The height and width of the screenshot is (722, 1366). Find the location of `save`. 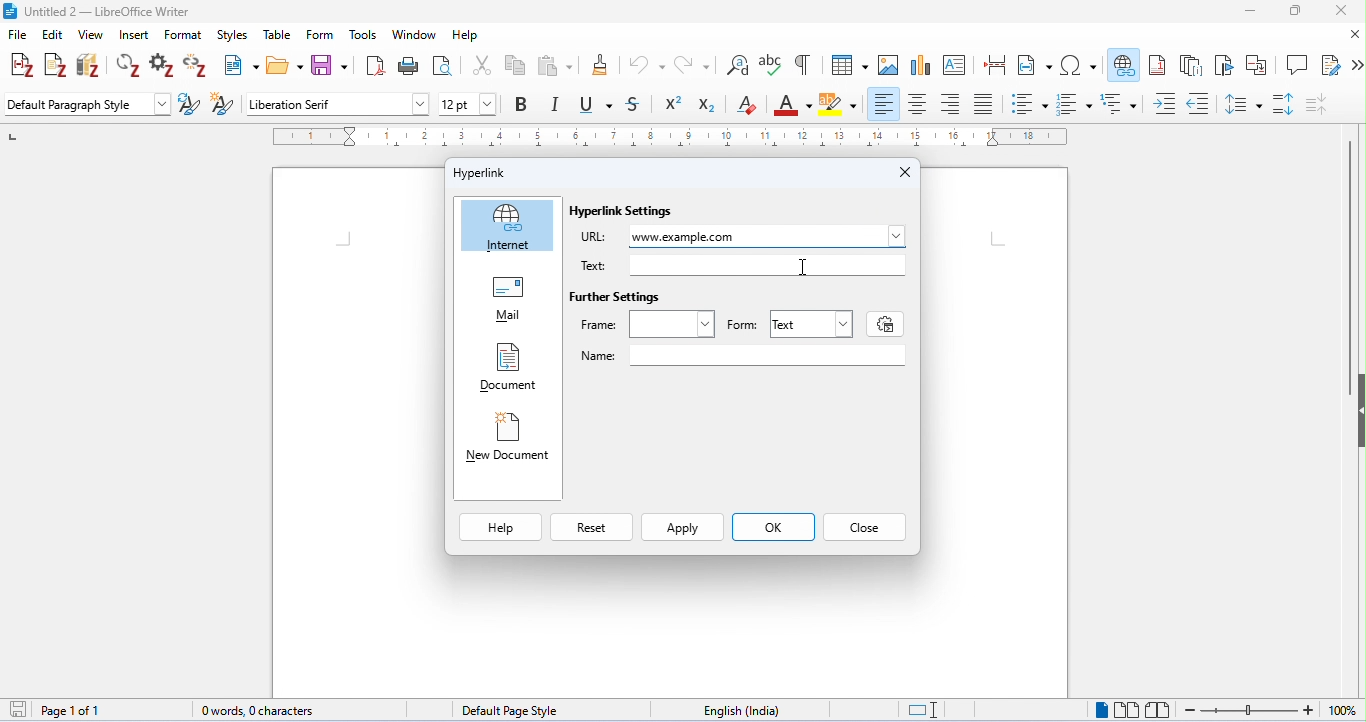

save is located at coordinates (330, 65).